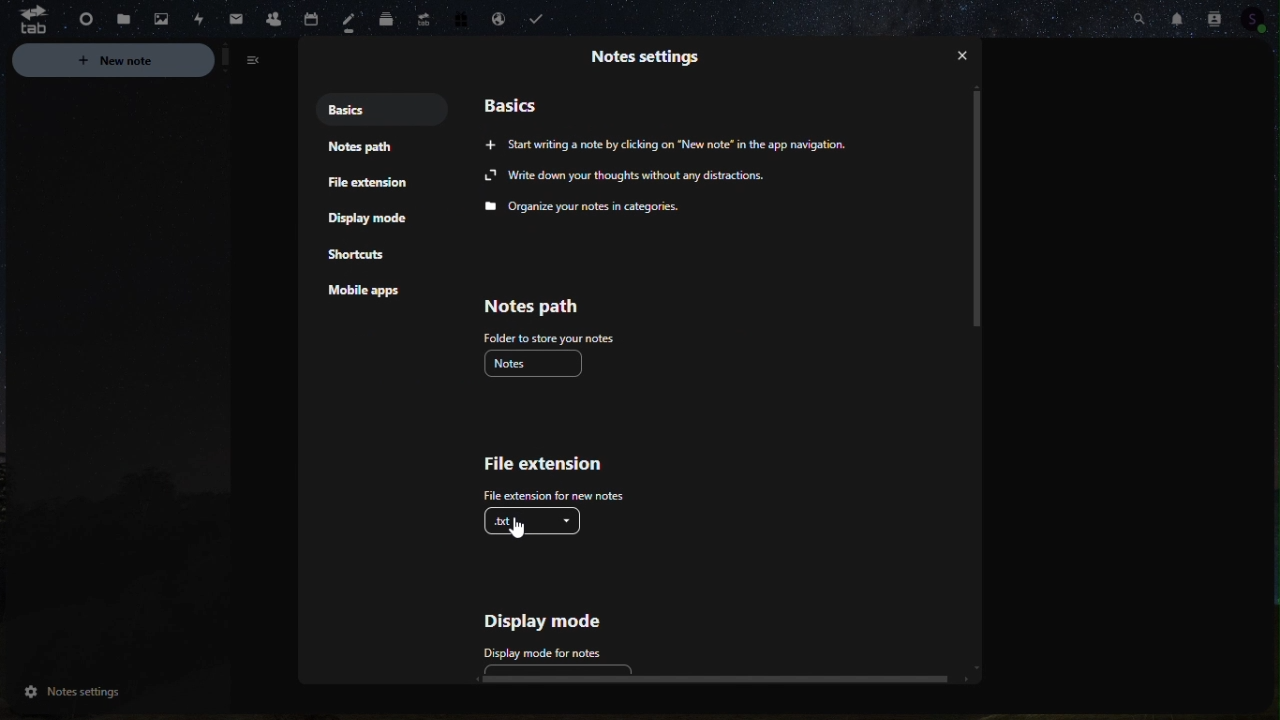 The image size is (1280, 720). Describe the element at coordinates (585, 208) in the screenshot. I see `Organize your notes in categories.` at that location.